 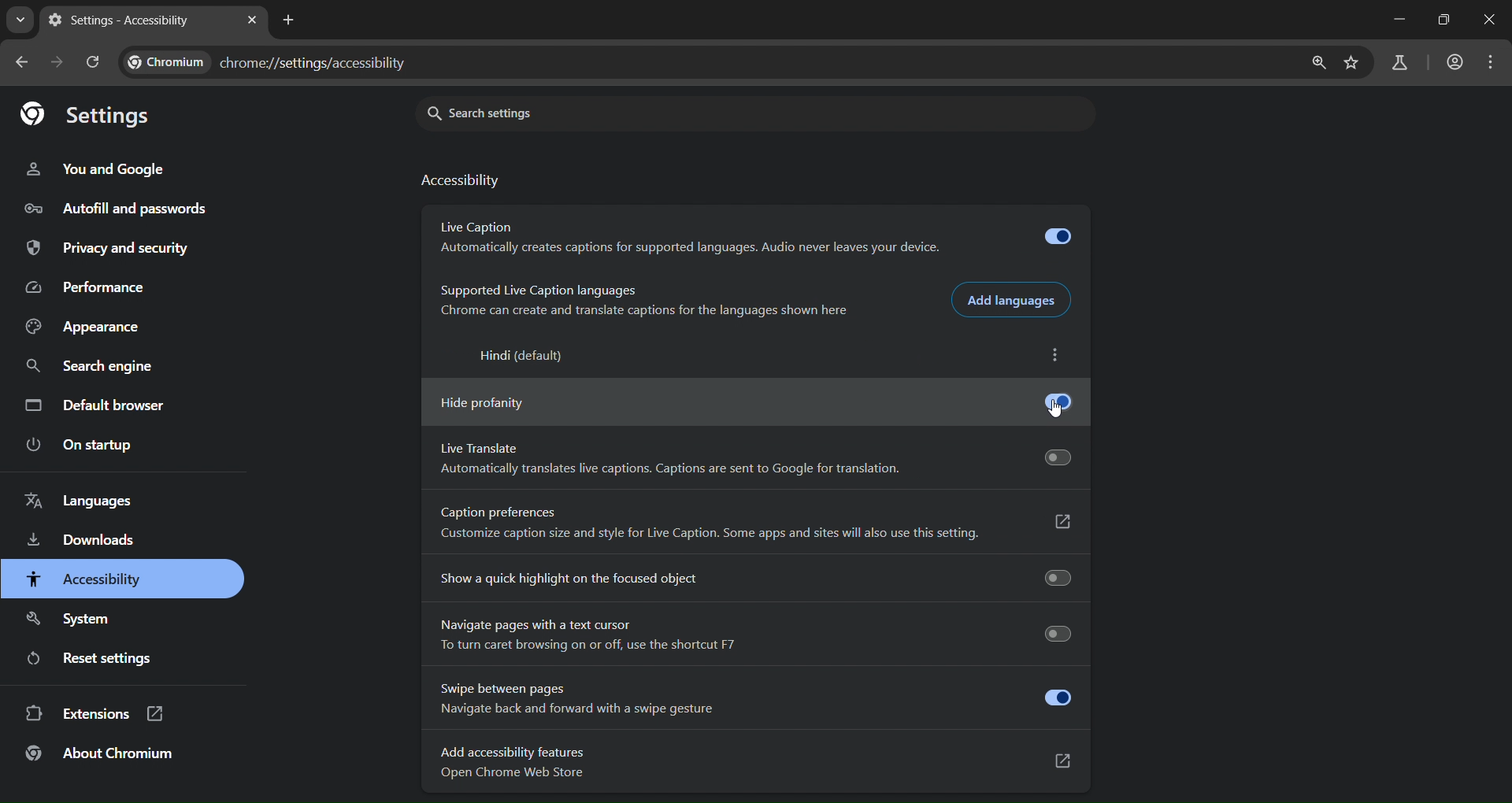 I want to click on default browser, so click(x=101, y=407).